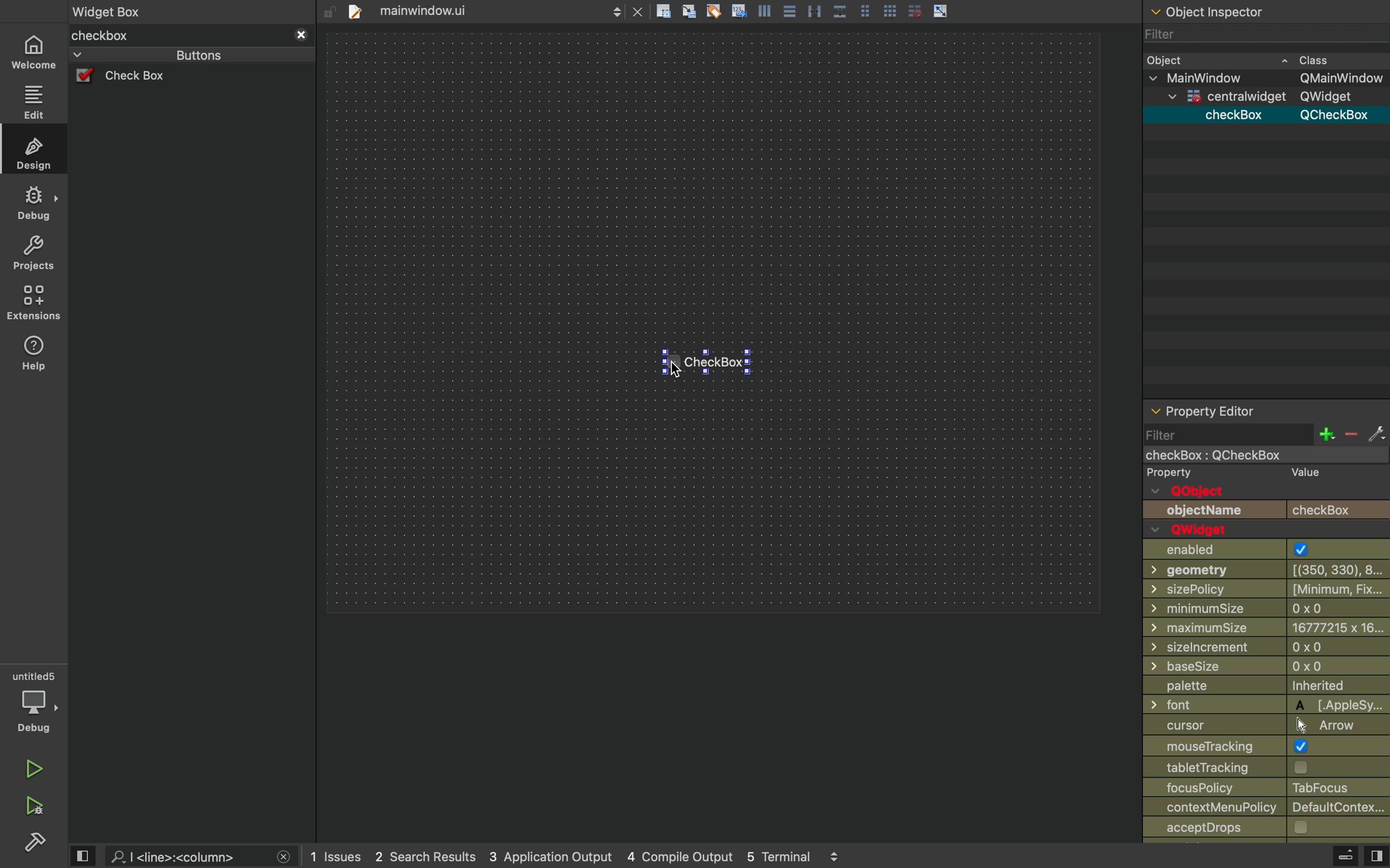  What do you see at coordinates (577, 857) in the screenshot?
I see `logs` at bounding box center [577, 857].